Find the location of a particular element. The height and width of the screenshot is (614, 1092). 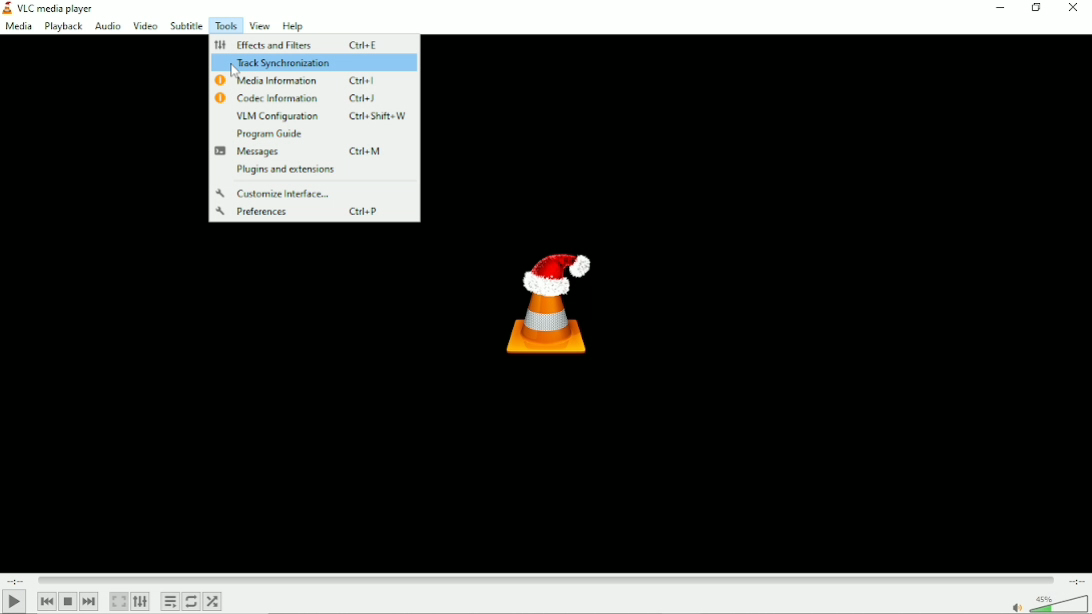

Toggle loop all, loop one and no loop is located at coordinates (192, 602).